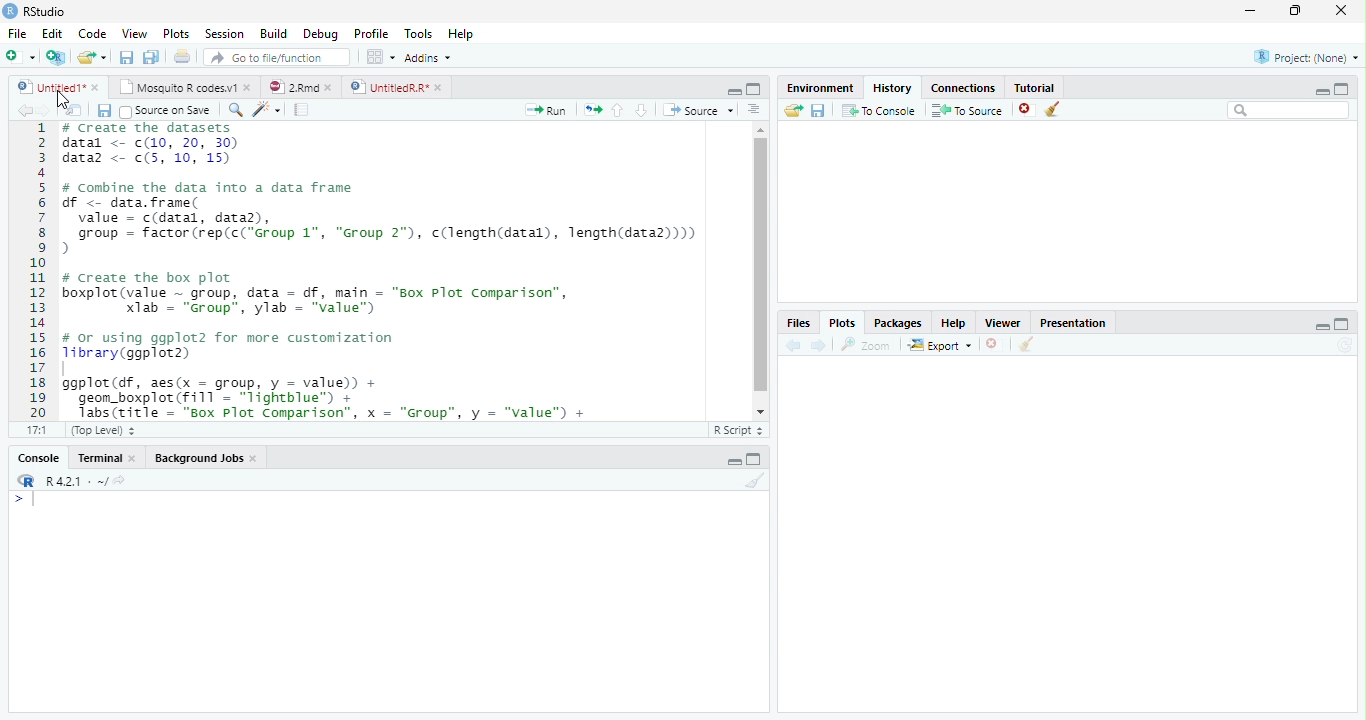  I want to click on Load history from an existing file, so click(793, 111).